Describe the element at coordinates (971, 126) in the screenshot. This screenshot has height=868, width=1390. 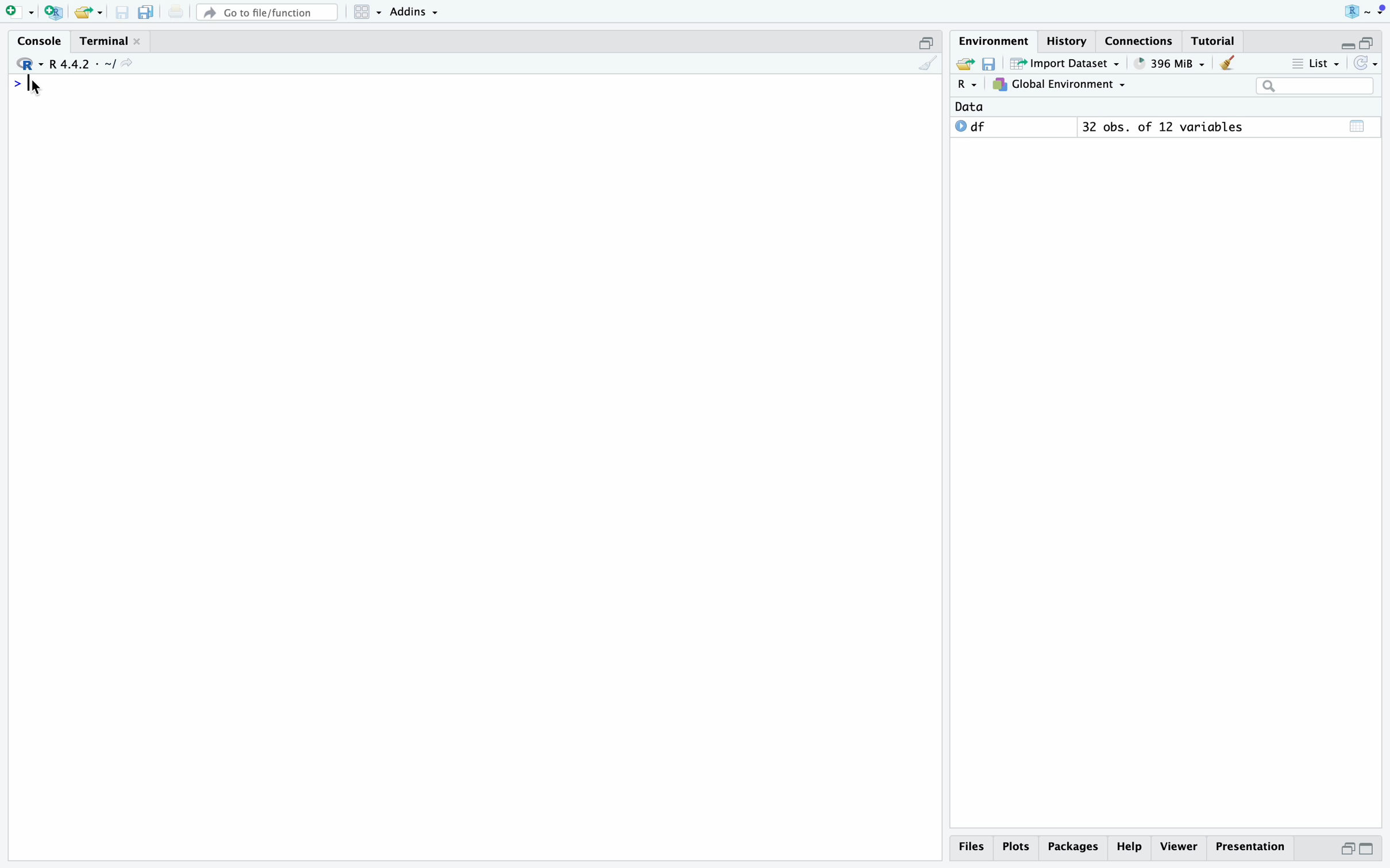
I see `df` at that location.